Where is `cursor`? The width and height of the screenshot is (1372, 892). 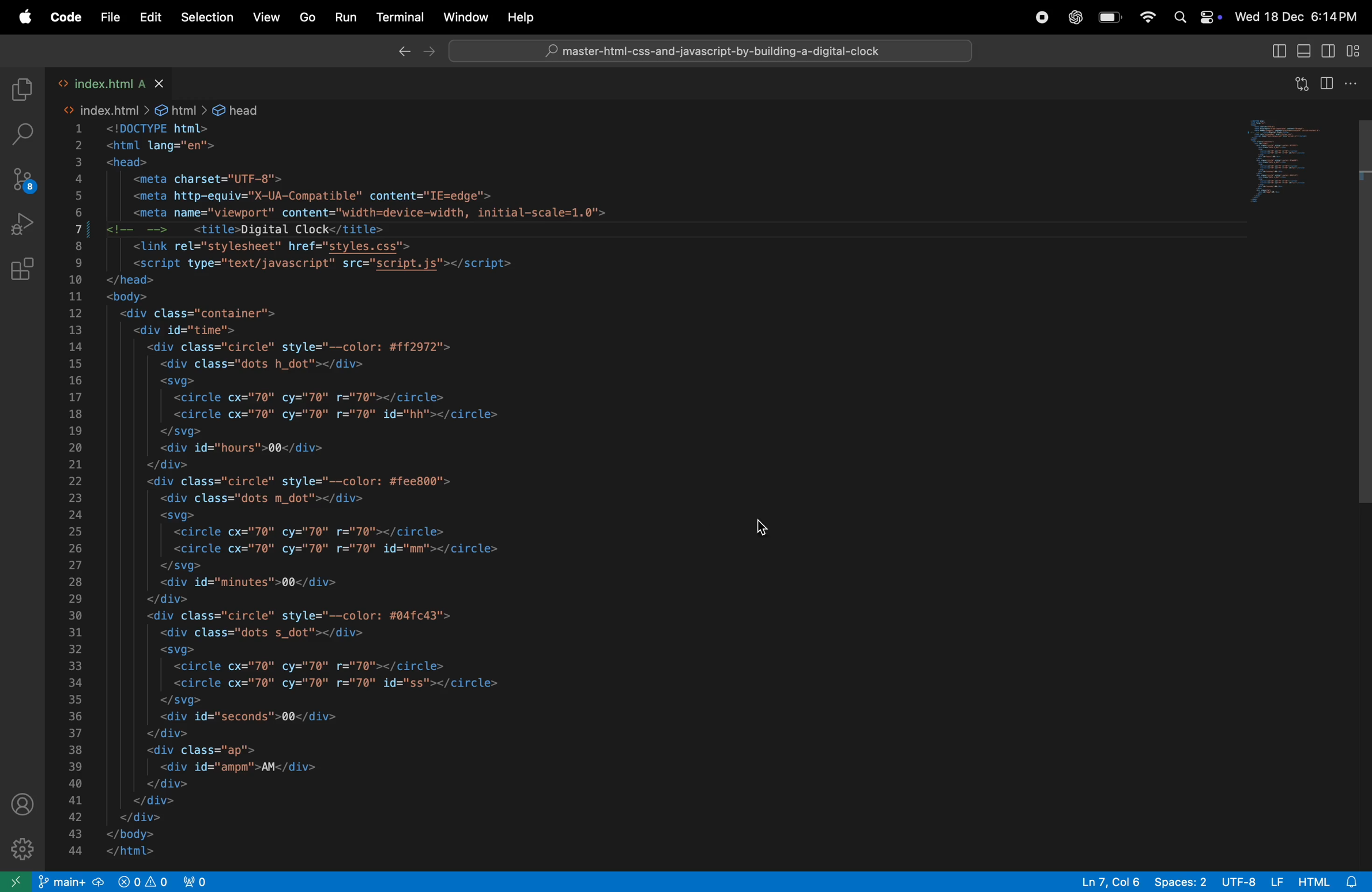 cursor is located at coordinates (766, 530).